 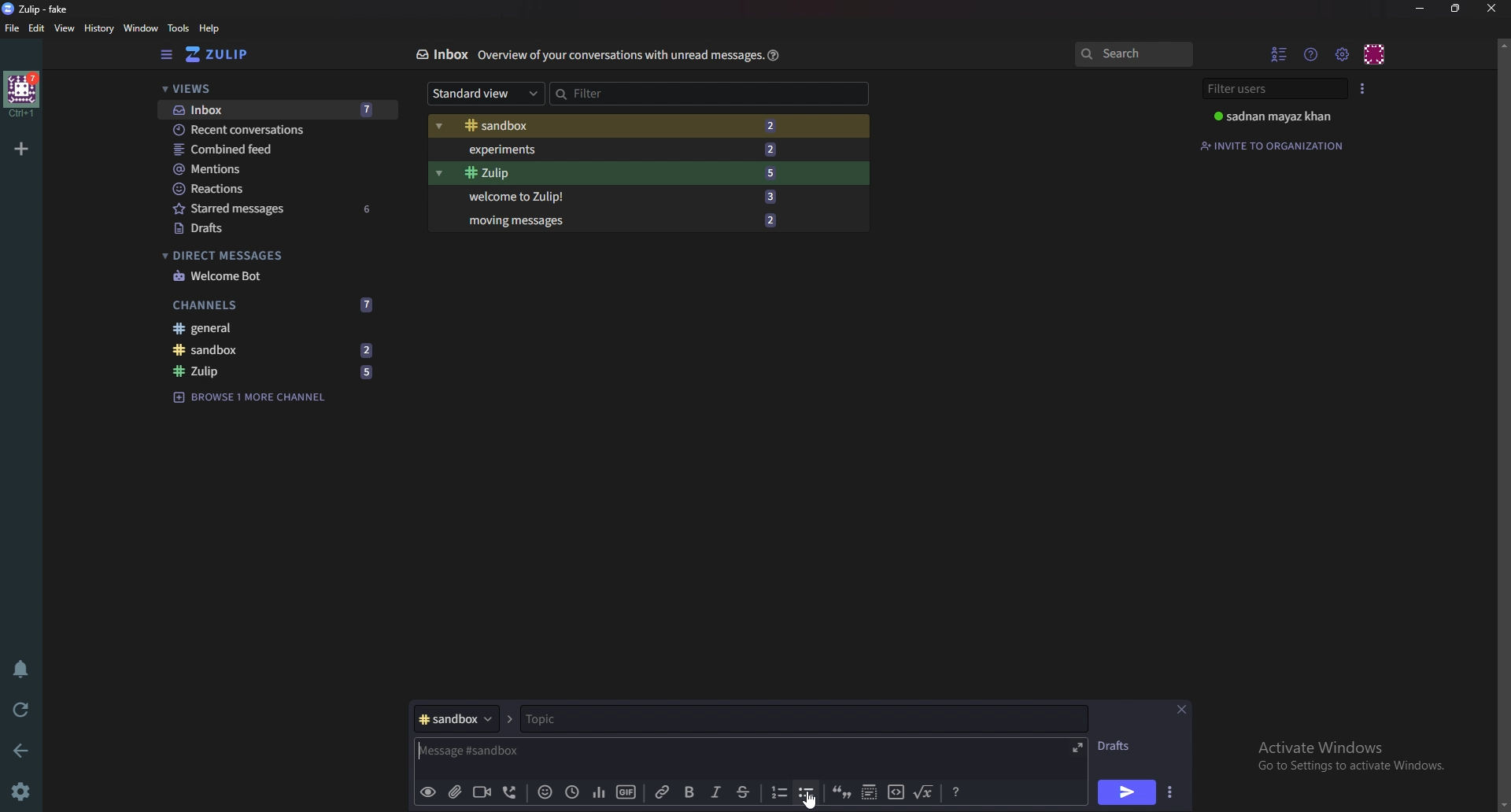 I want to click on send, so click(x=1125, y=794).